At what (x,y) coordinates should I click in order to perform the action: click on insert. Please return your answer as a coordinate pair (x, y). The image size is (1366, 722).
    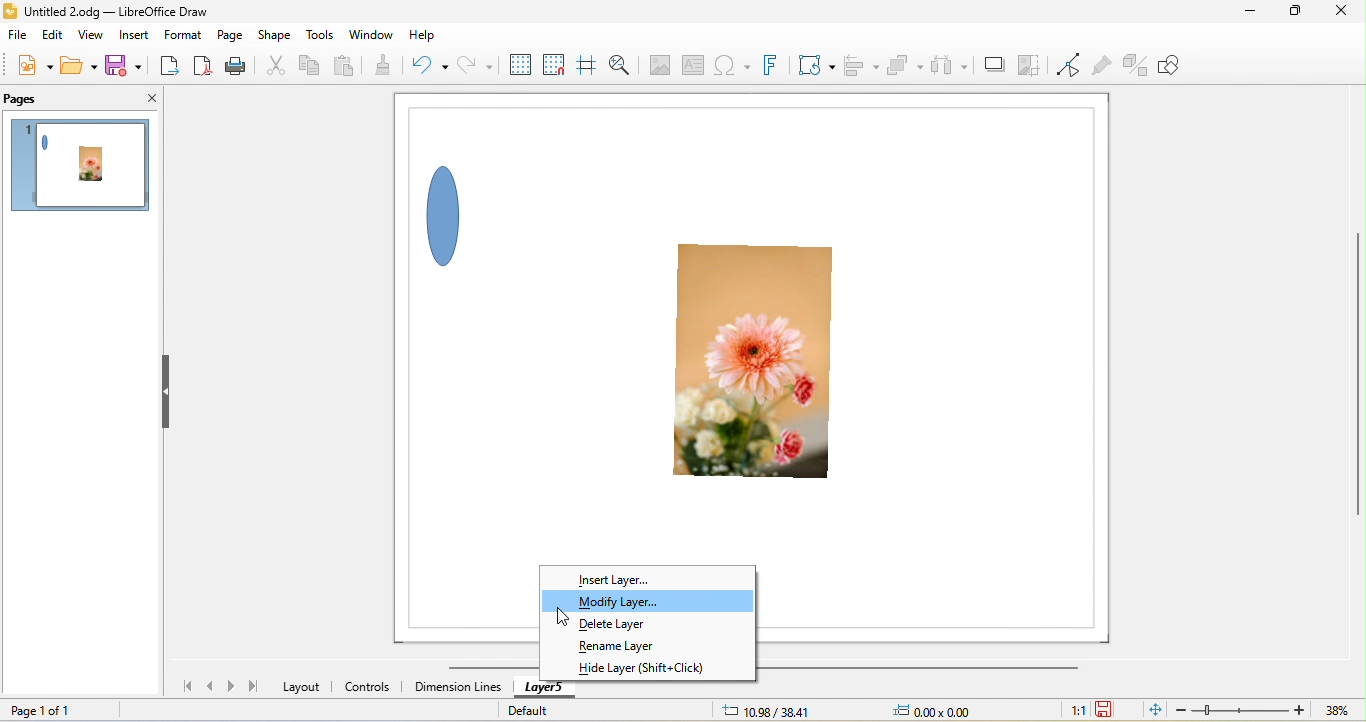
    Looking at the image, I should click on (133, 34).